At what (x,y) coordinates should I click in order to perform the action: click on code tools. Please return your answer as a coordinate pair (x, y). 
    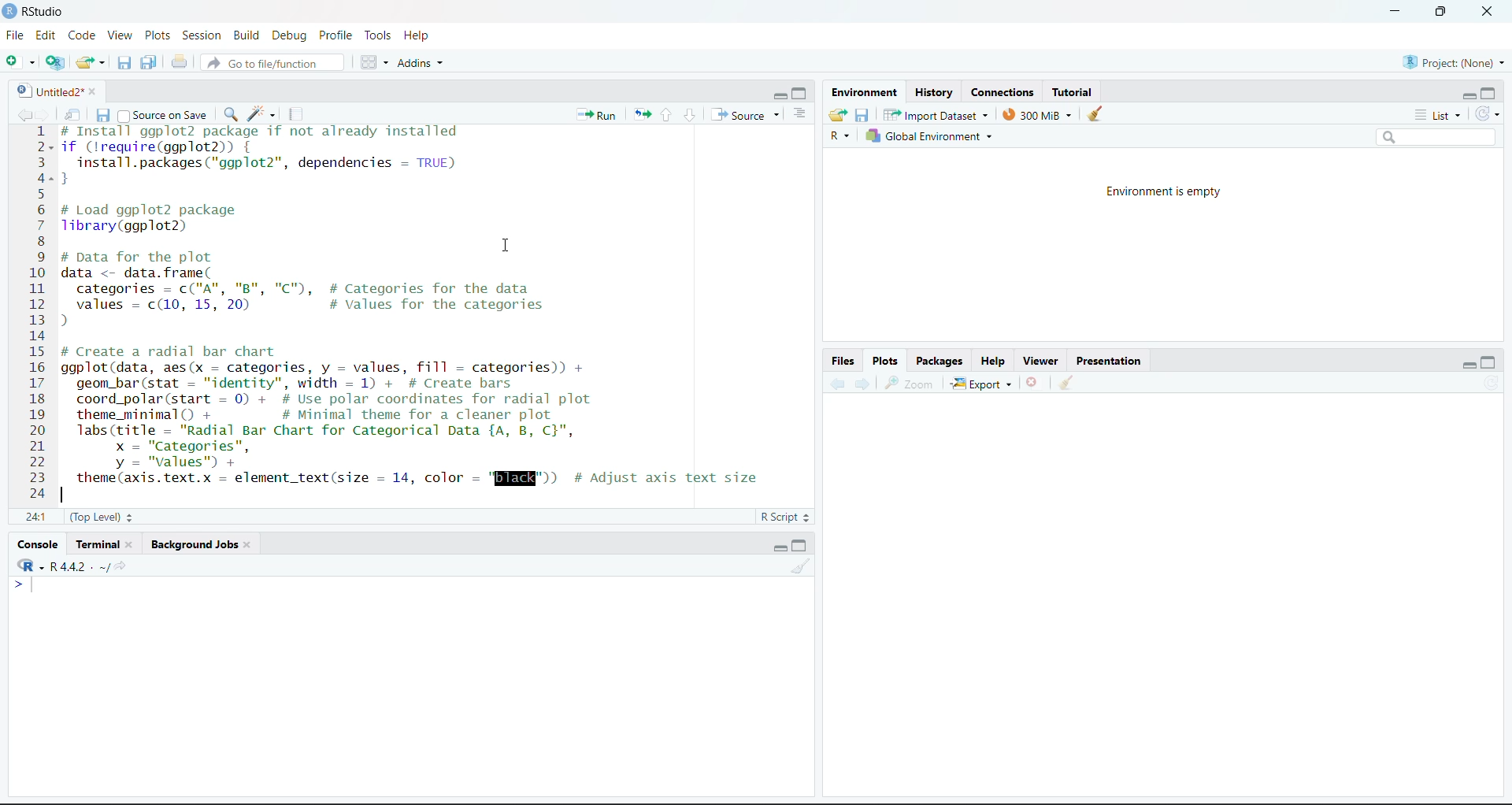
    Looking at the image, I should click on (261, 114).